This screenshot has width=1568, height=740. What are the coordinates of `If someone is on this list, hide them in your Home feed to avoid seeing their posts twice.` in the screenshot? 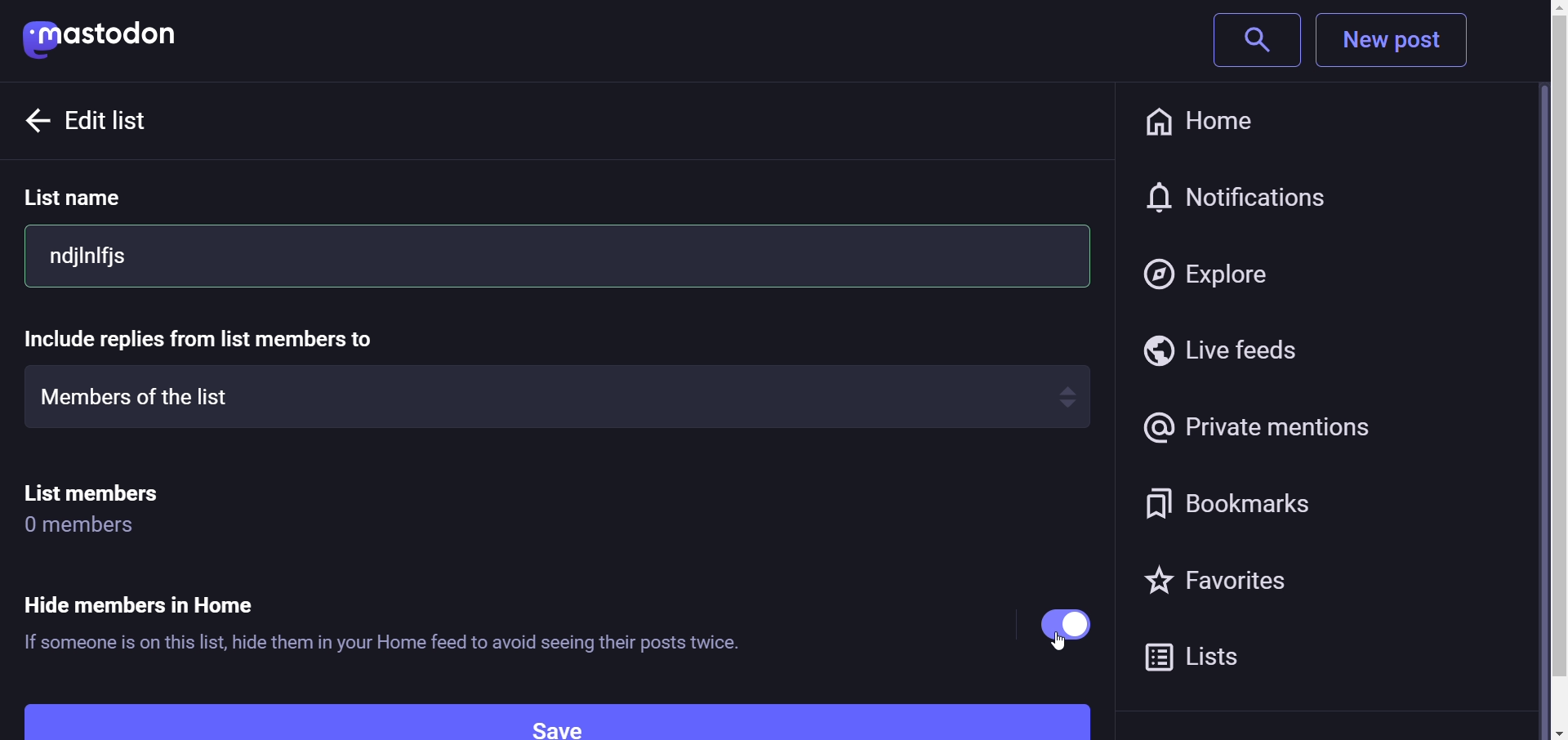 It's located at (397, 646).